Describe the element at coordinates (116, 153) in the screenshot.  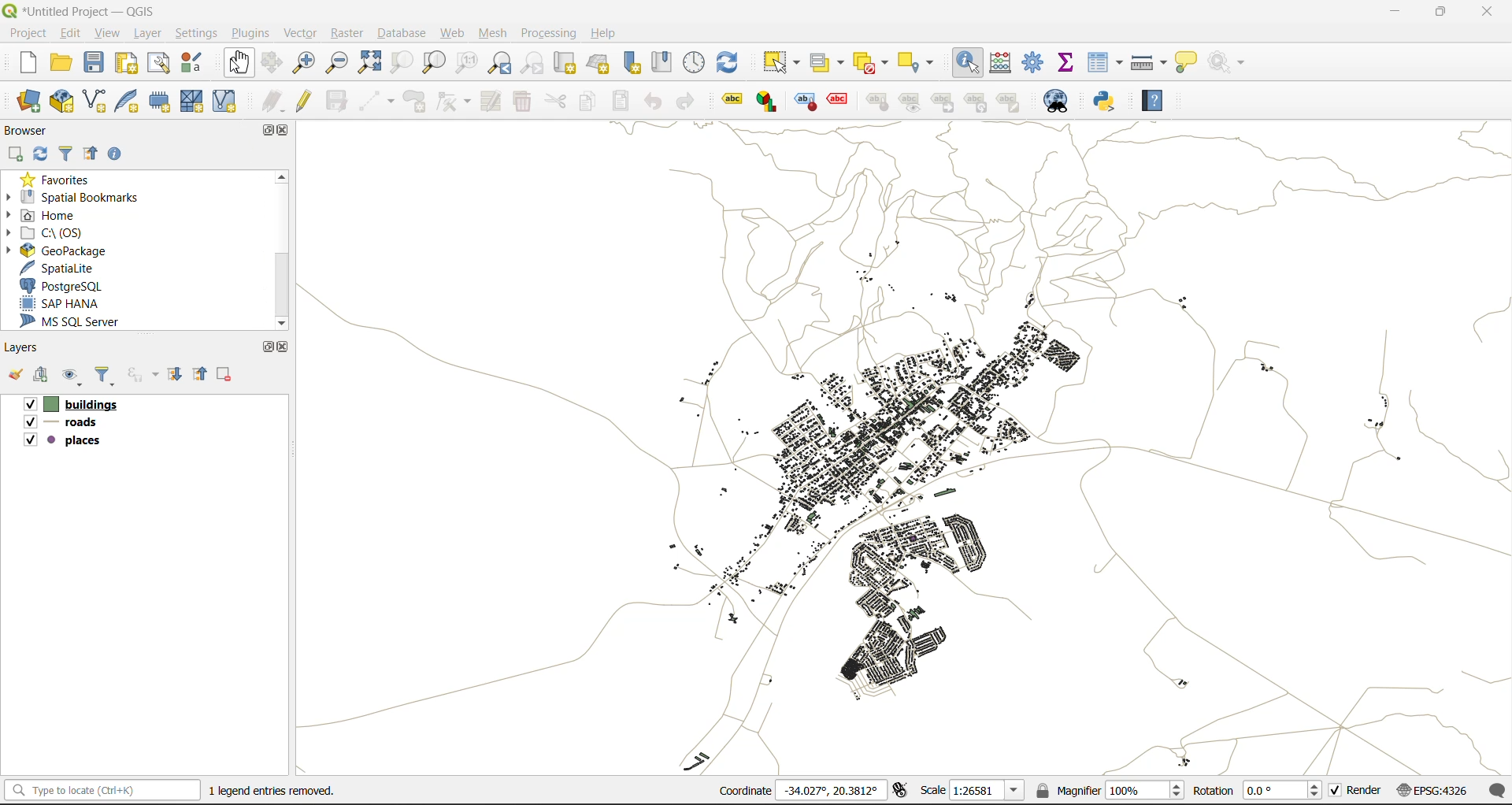
I see `enable properties` at that location.